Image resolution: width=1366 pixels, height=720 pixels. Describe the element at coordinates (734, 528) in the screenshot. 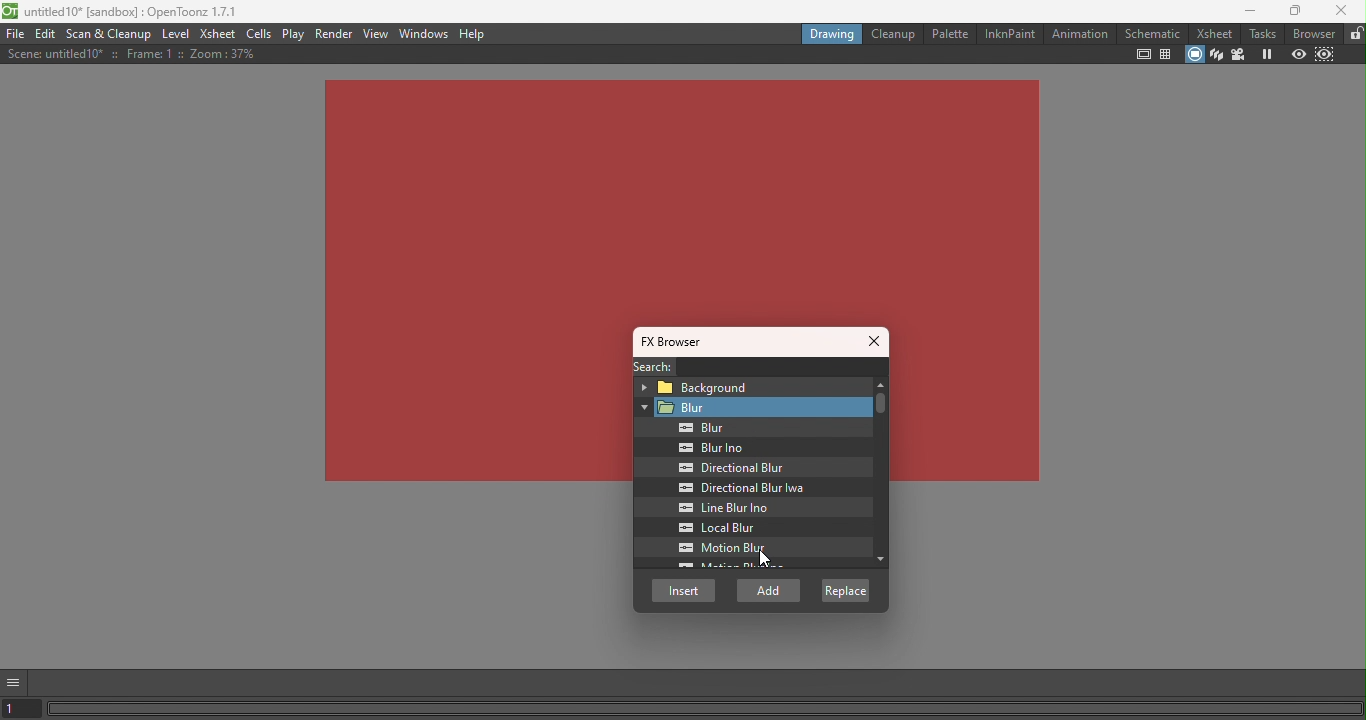

I see `Local blur` at that location.